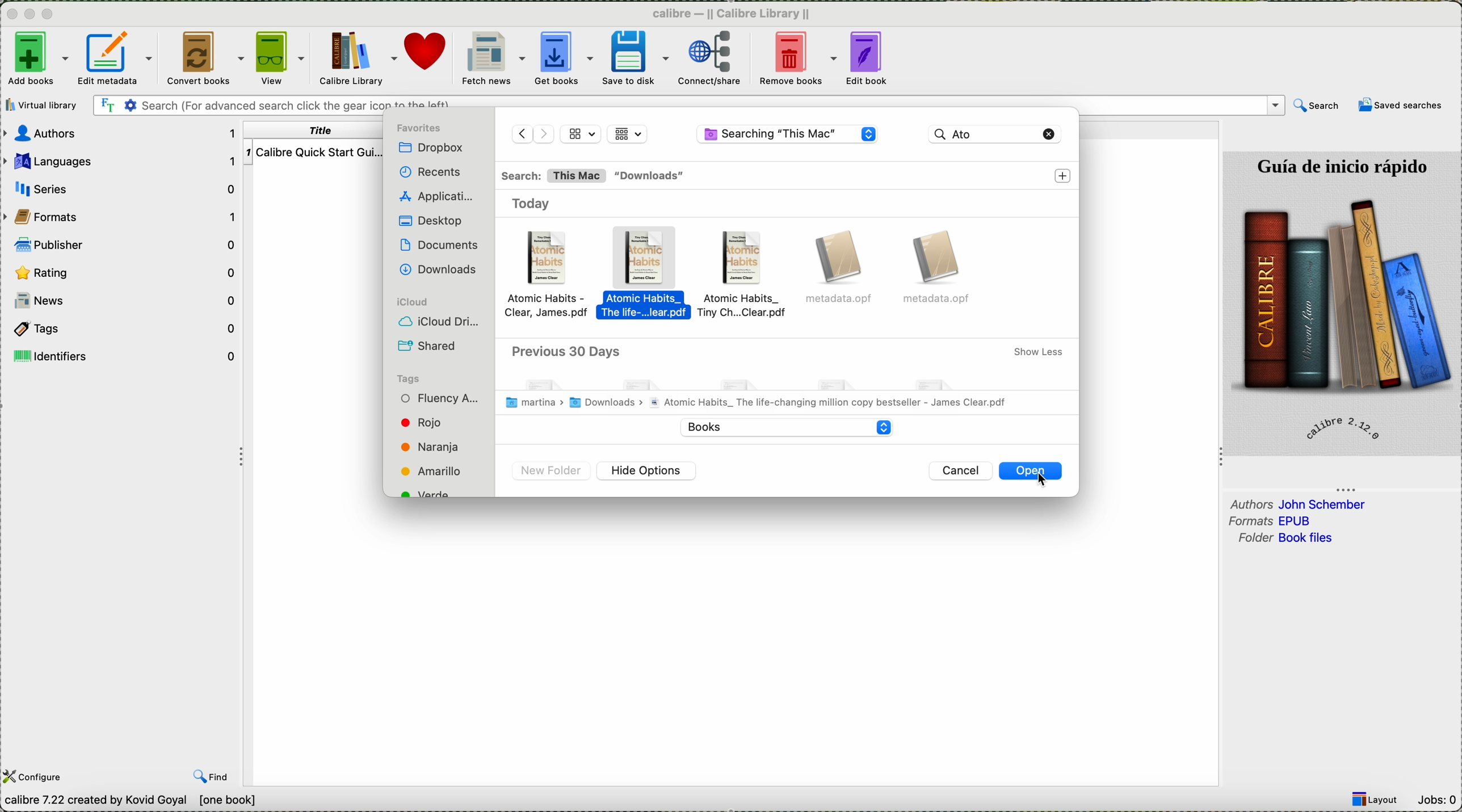 The image size is (1462, 812). Describe the element at coordinates (434, 148) in the screenshot. I see `Dropbox` at that location.